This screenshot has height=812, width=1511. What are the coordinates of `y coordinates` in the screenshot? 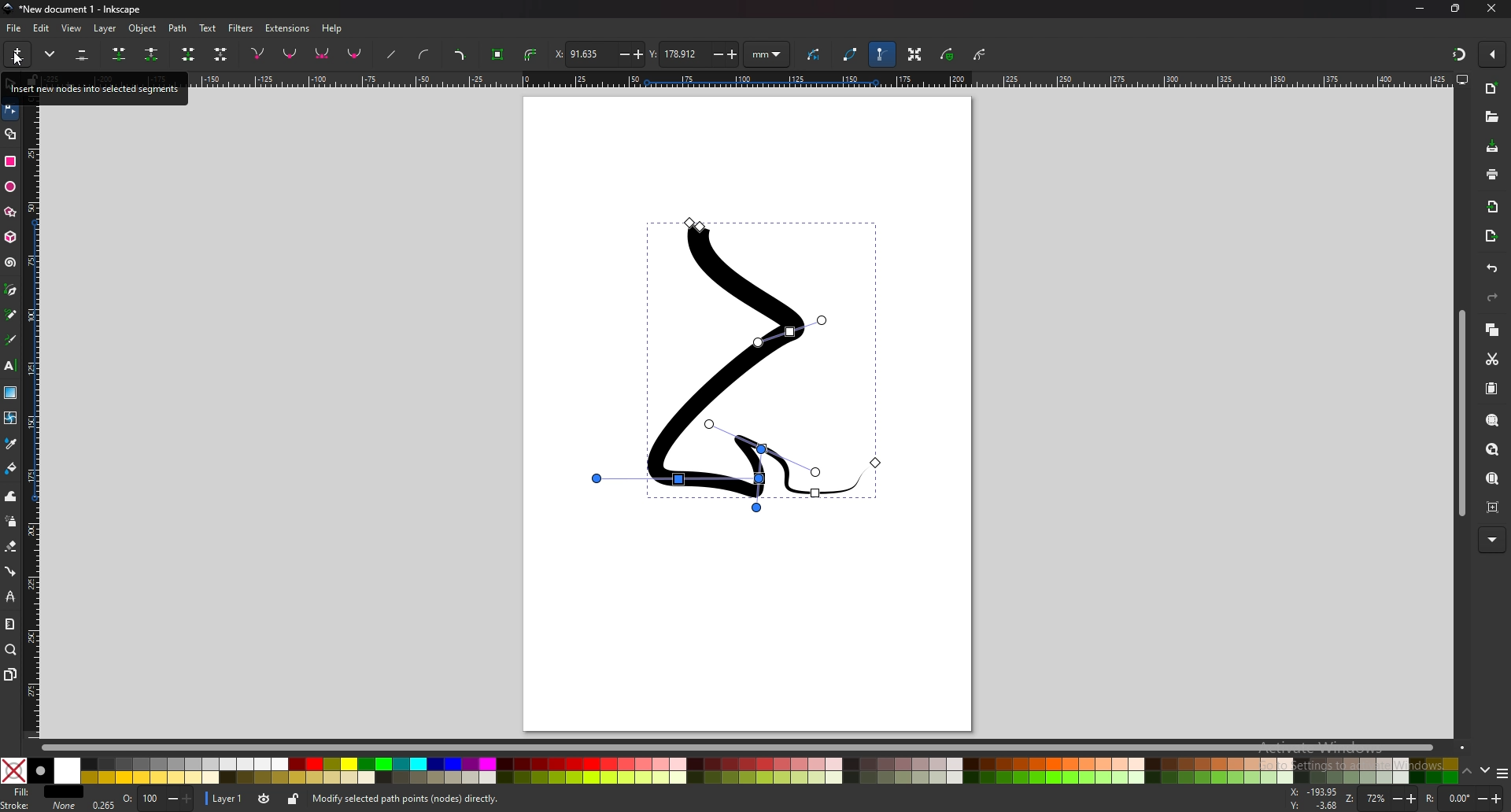 It's located at (693, 54).